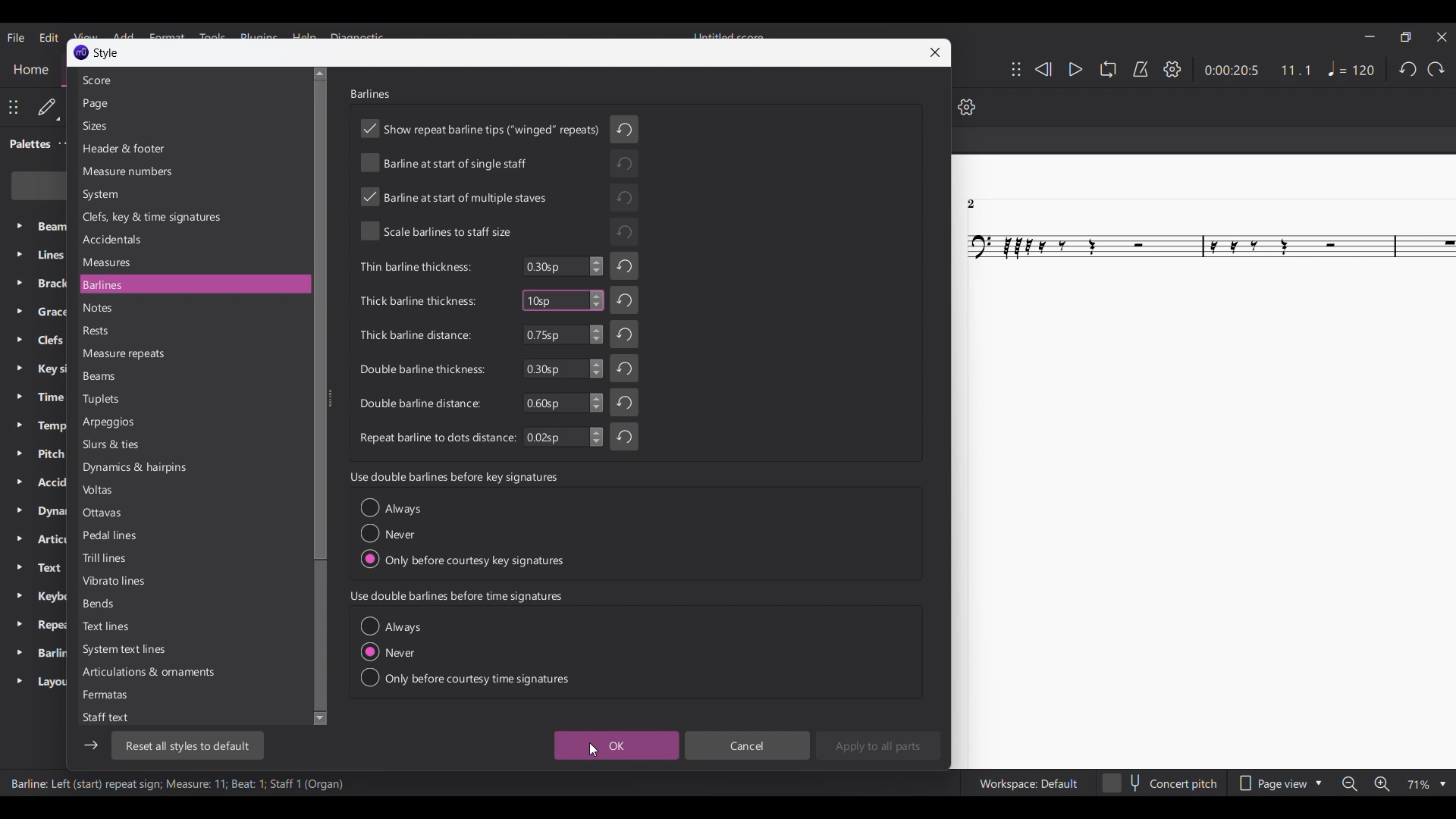 Image resolution: width=1456 pixels, height=819 pixels. Describe the element at coordinates (453, 477) in the screenshot. I see `Section title` at that location.